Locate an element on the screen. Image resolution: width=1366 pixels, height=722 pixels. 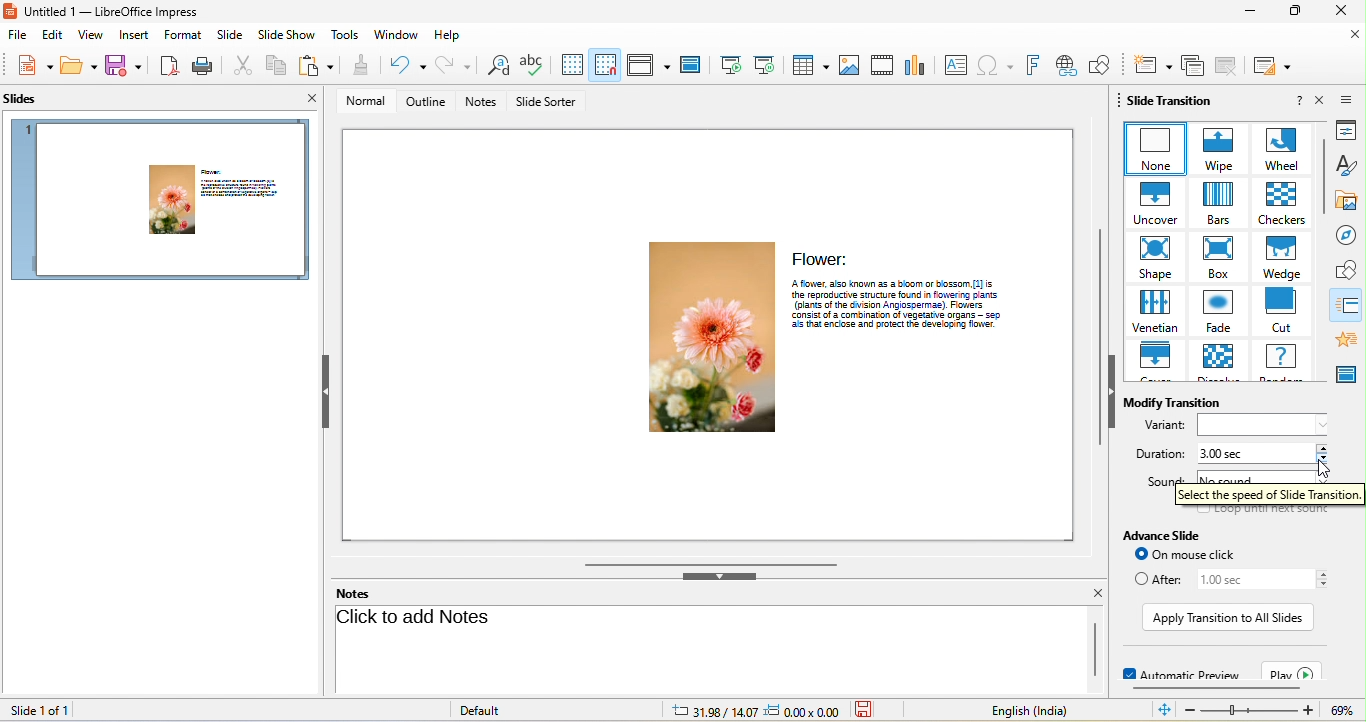
minimize is located at coordinates (1247, 12).